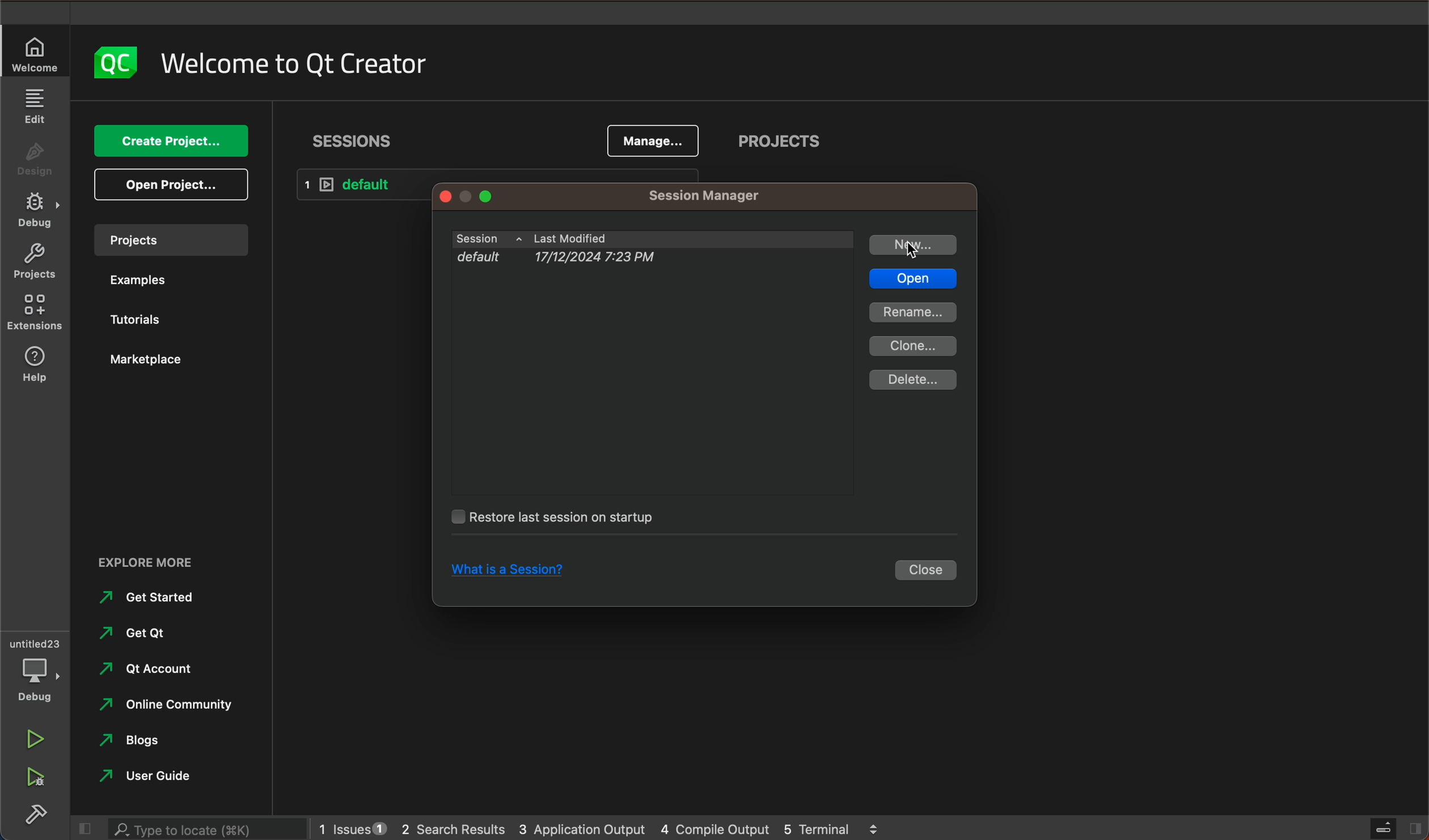 This screenshot has width=1429, height=840. Describe the element at coordinates (36, 55) in the screenshot. I see `welcome` at that location.